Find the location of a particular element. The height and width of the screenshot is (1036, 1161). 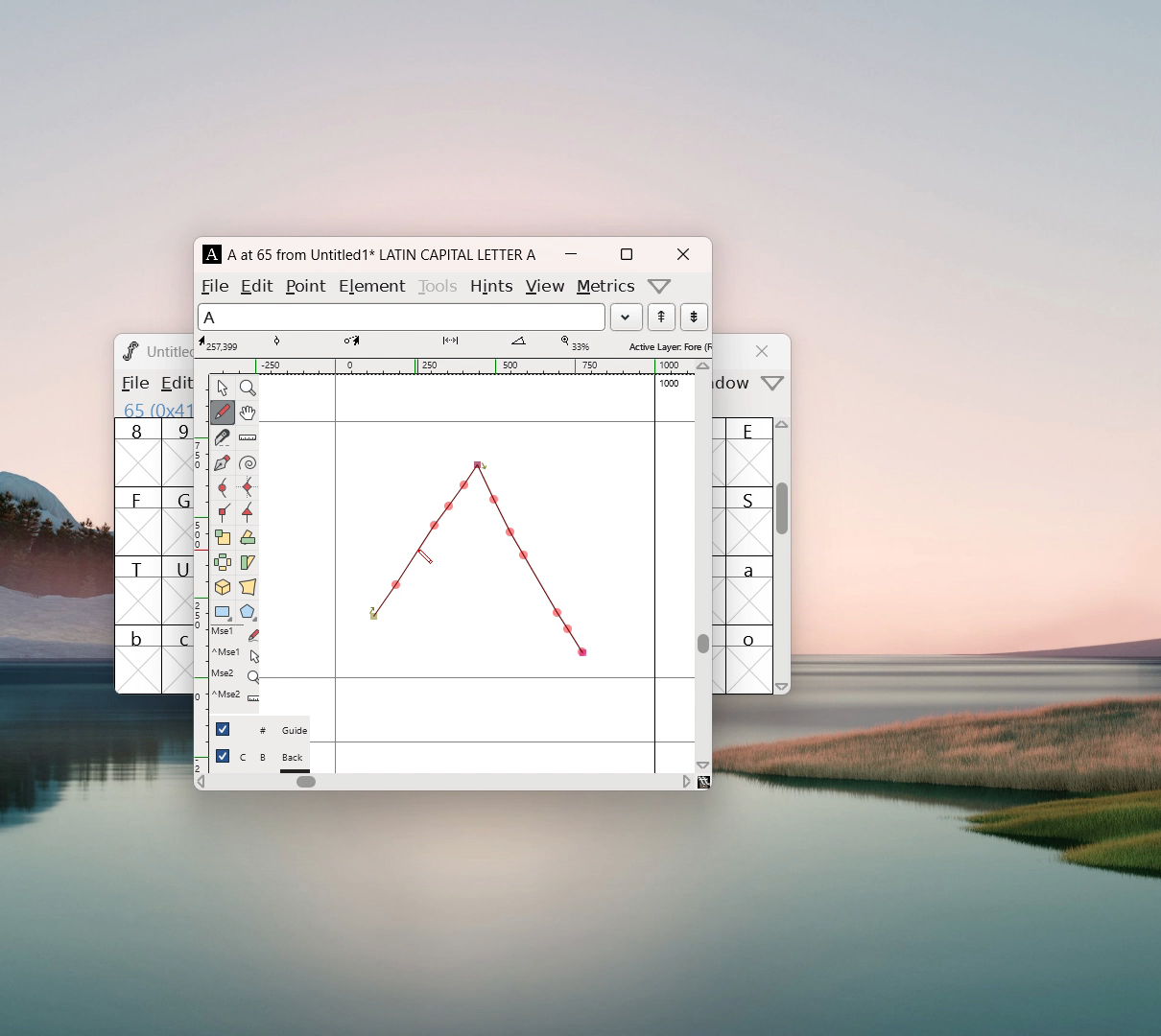

tangent is located at coordinates (296, 342).